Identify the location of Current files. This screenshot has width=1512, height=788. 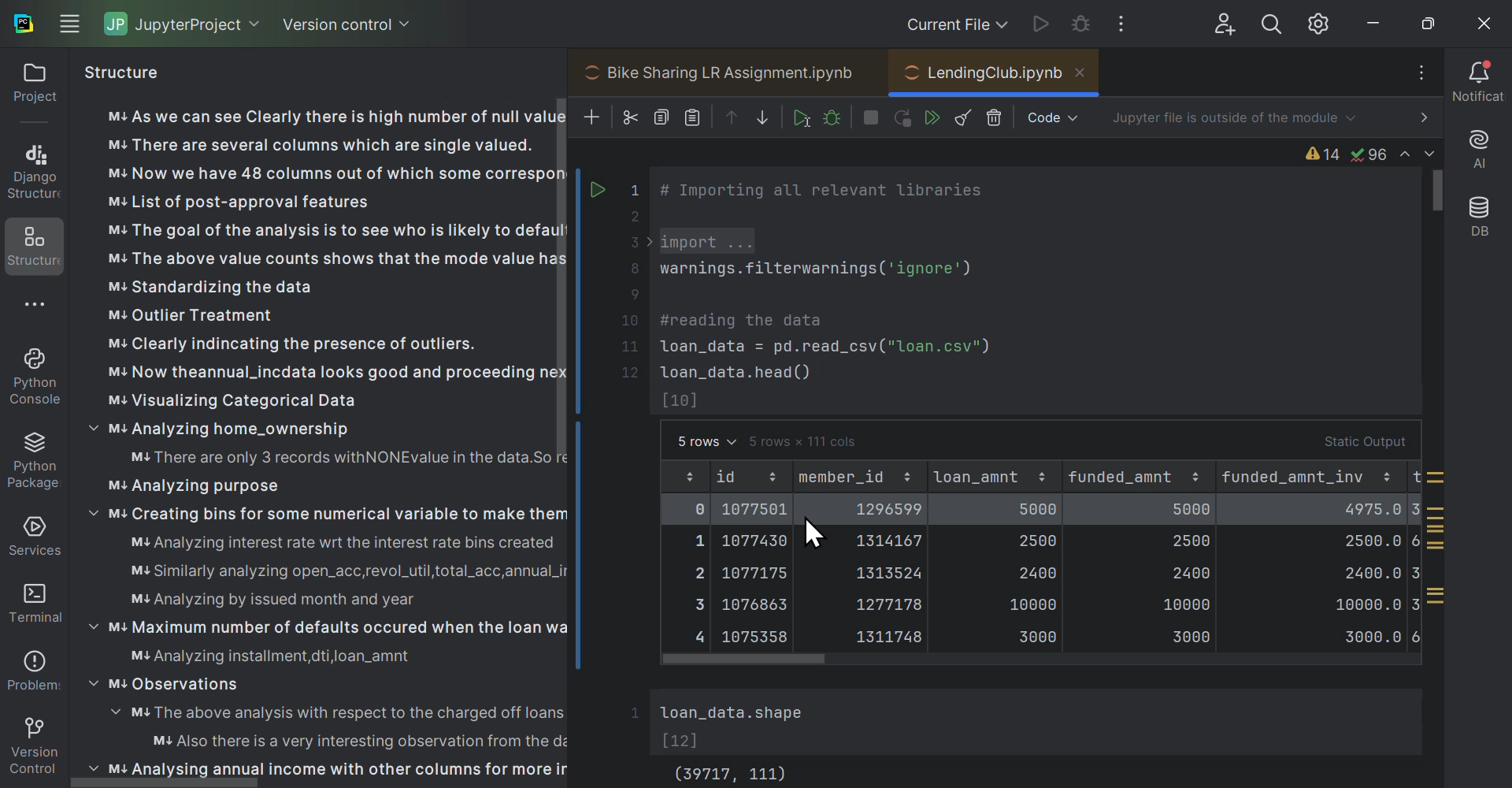
(958, 20).